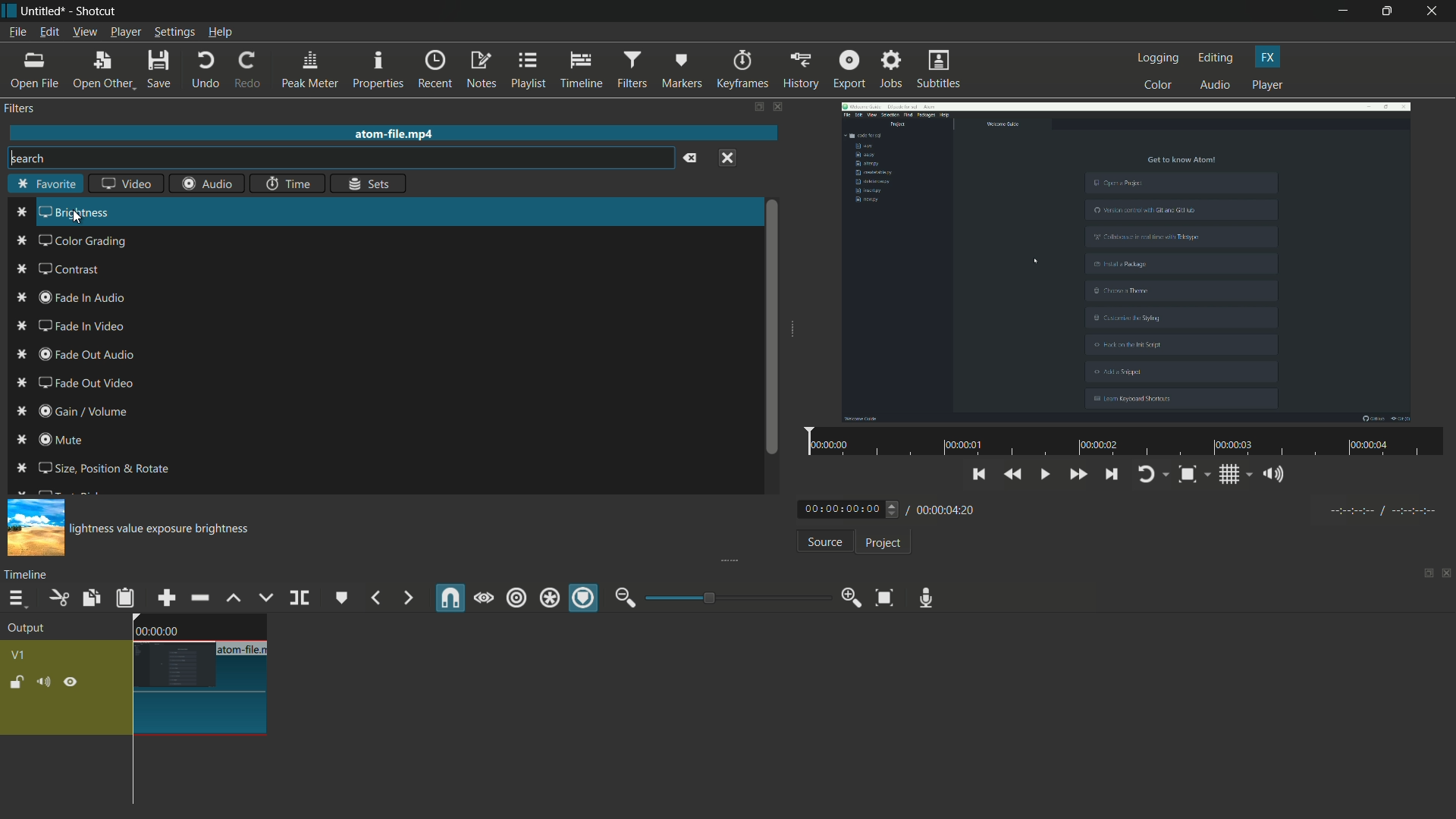  What do you see at coordinates (799, 70) in the screenshot?
I see `history` at bounding box center [799, 70].